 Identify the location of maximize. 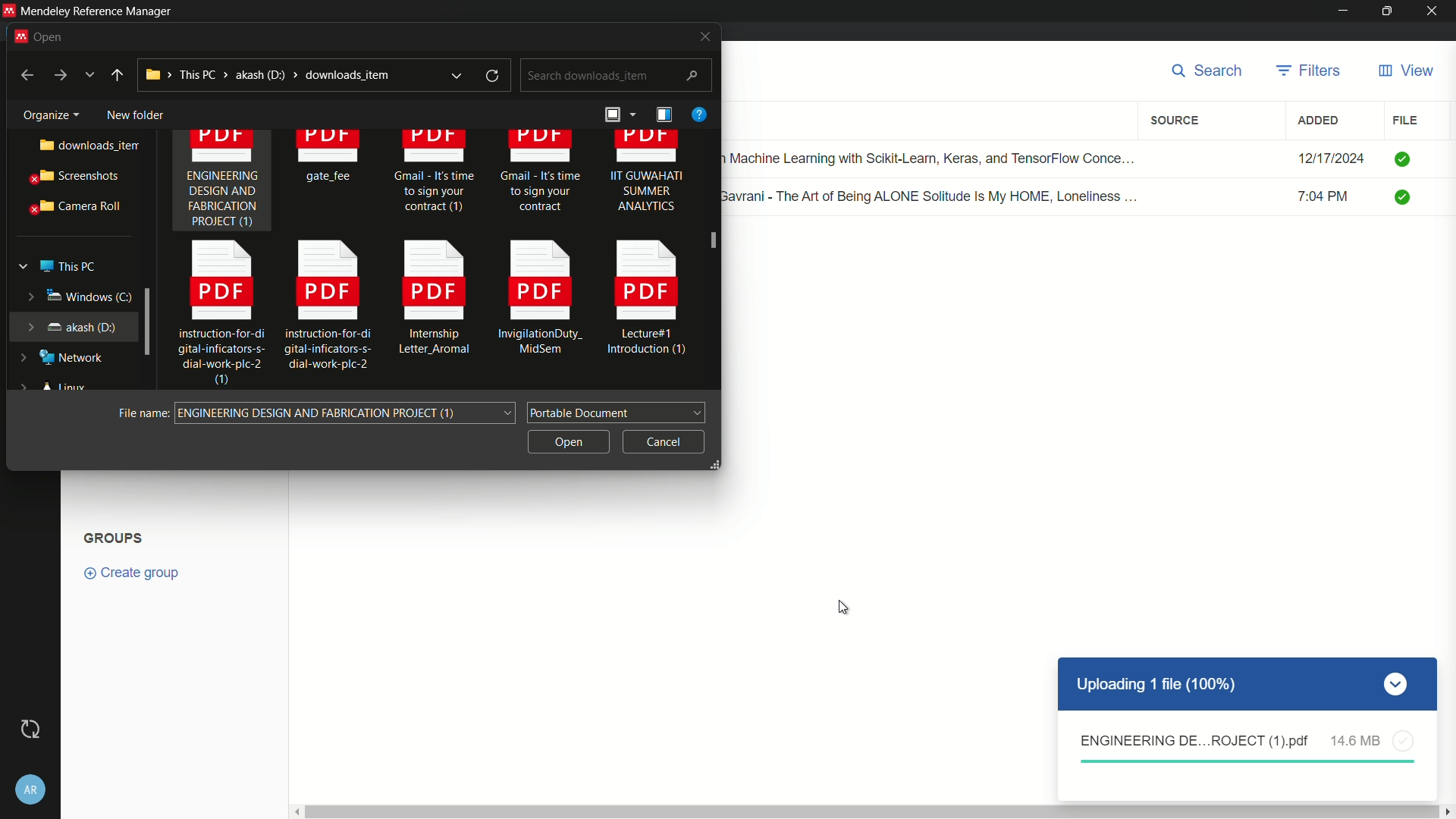
(1389, 11).